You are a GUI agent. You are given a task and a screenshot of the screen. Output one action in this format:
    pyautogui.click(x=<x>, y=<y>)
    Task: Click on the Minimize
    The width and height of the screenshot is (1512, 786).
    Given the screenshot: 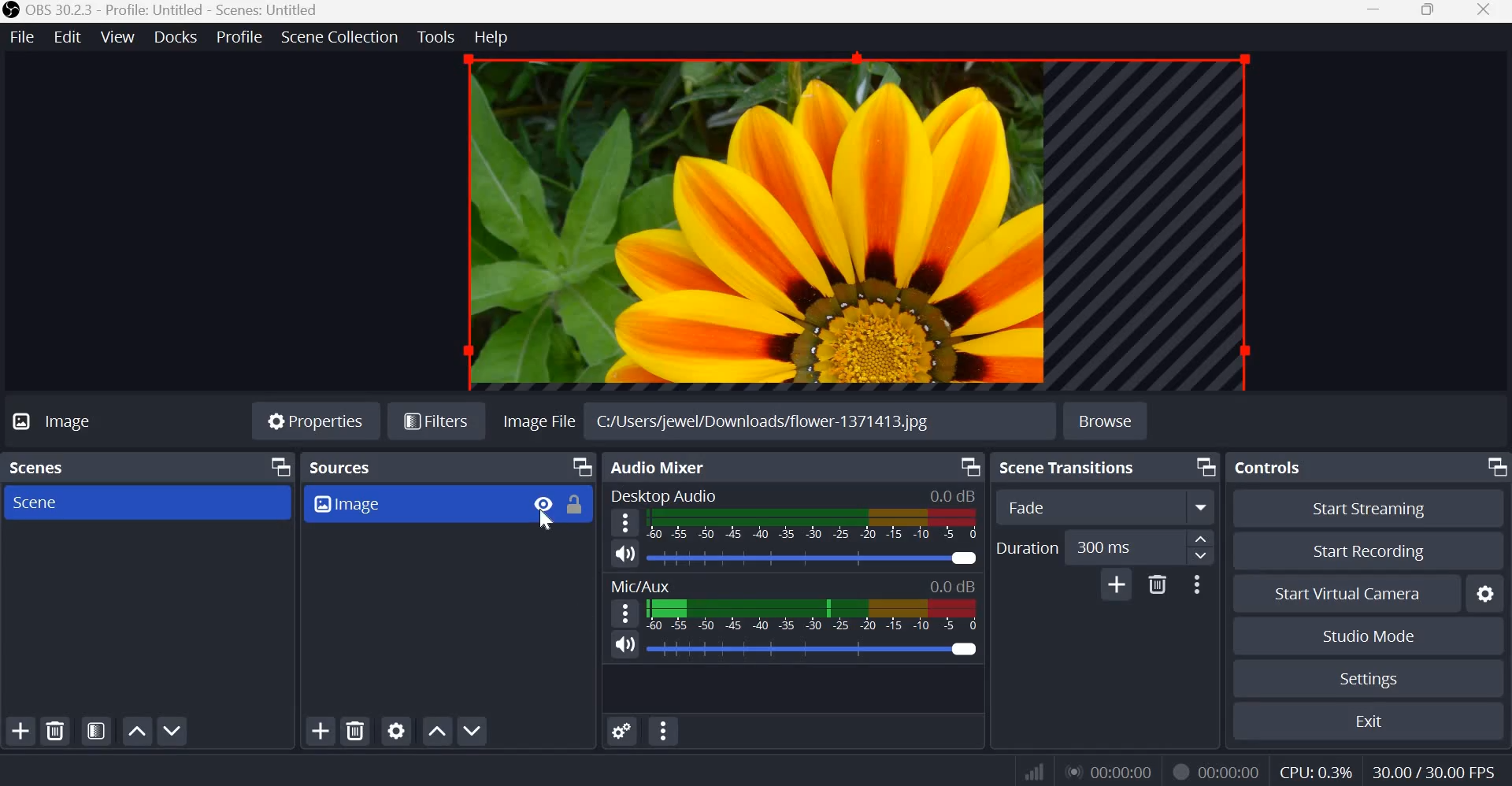 What is the action you would take?
    pyautogui.click(x=1371, y=11)
    